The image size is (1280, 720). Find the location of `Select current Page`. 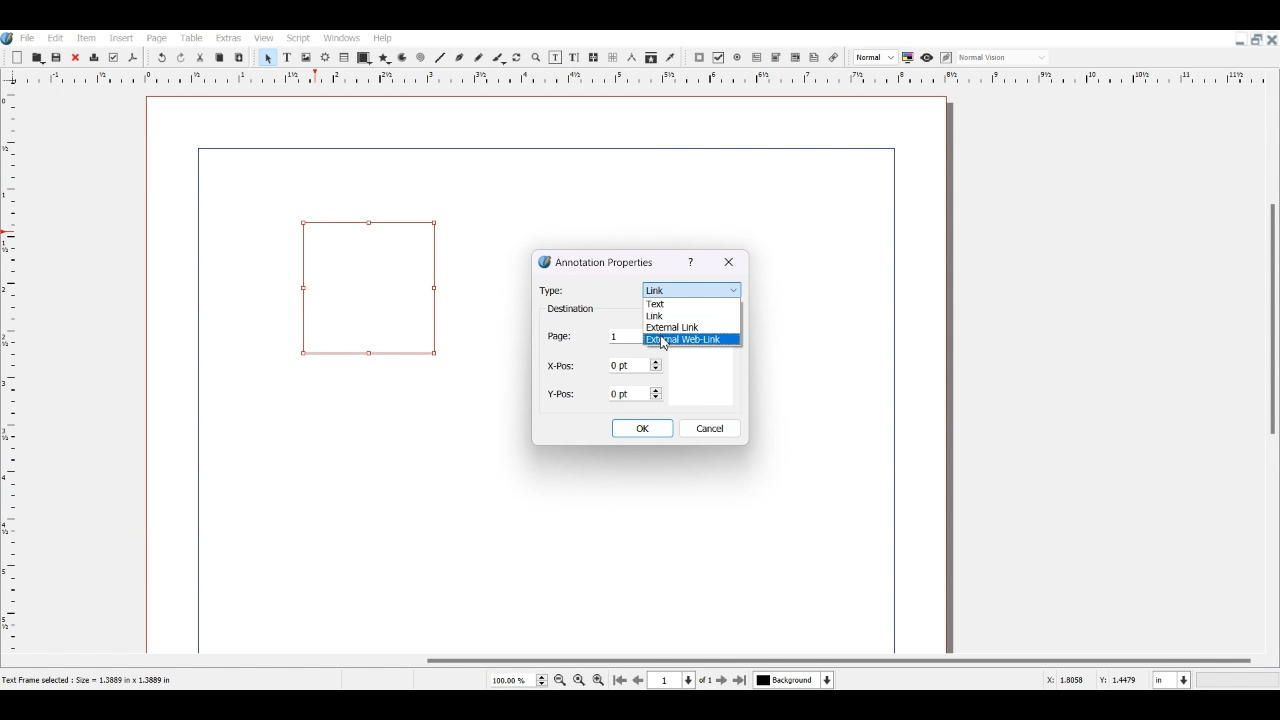

Select current Page is located at coordinates (684, 680).